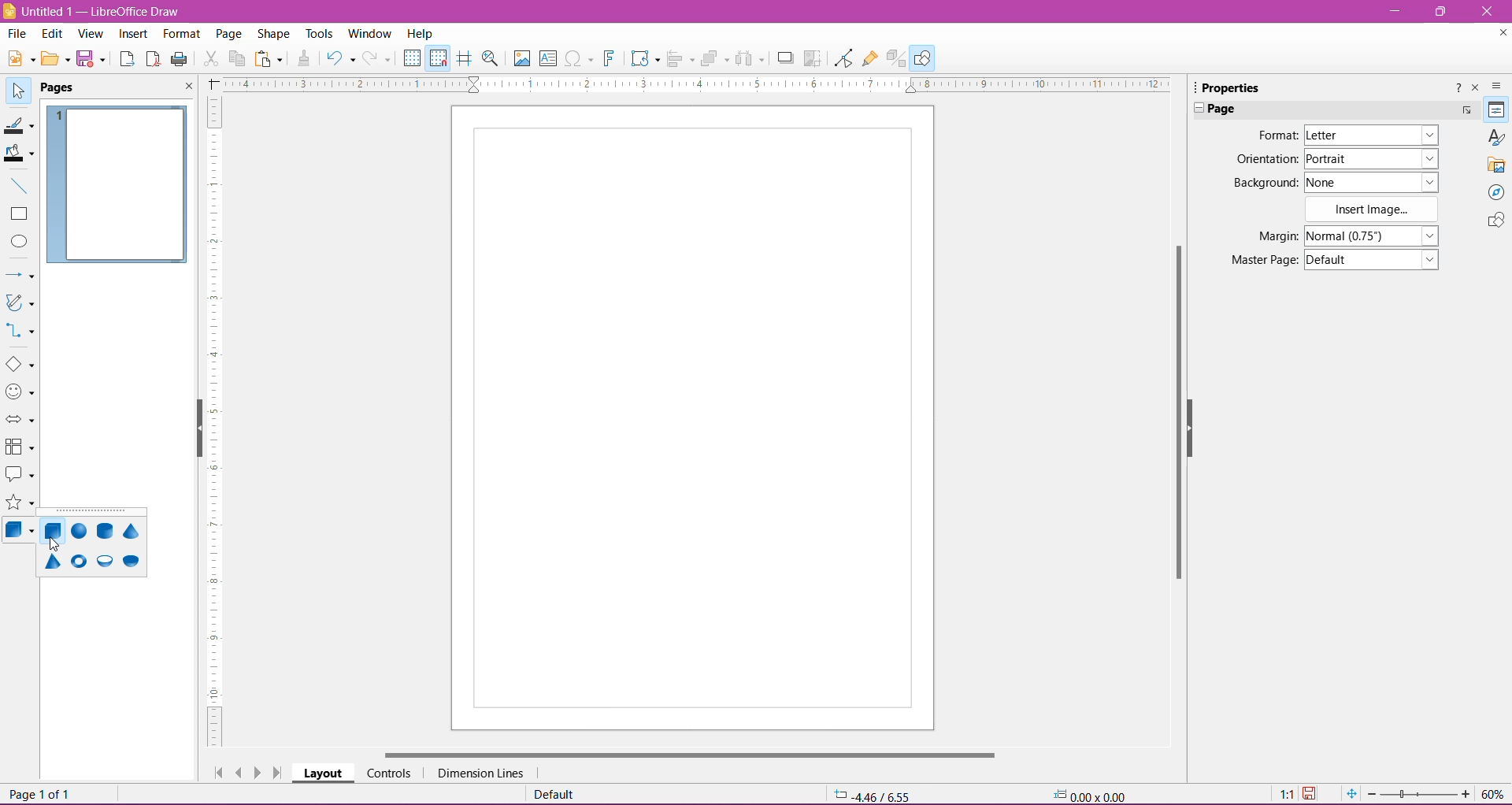  I want to click on Show Gluepoint Functions, so click(871, 59).